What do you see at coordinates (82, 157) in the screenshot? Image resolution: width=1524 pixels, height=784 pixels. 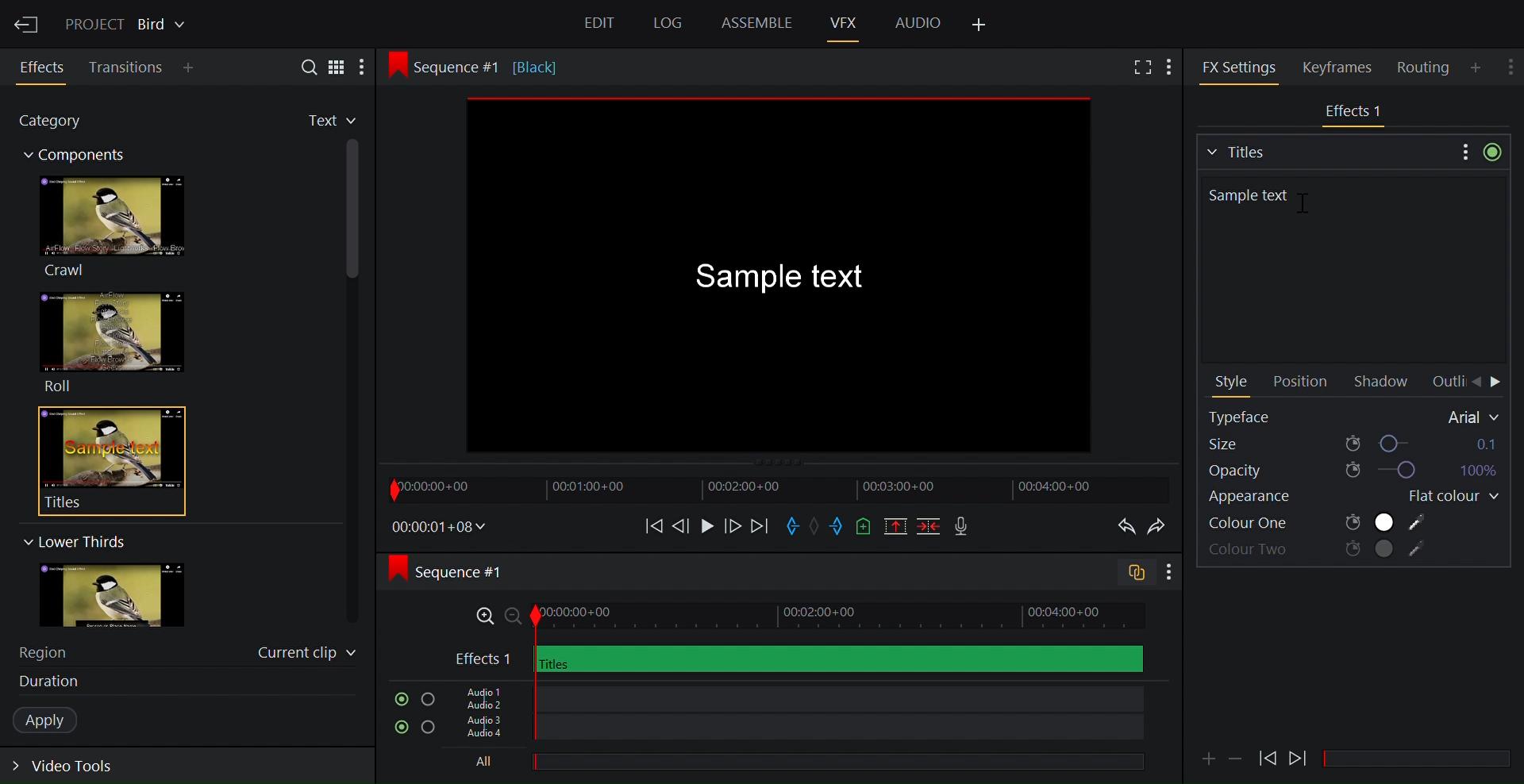 I see `Components` at bounding box center [82, 157].